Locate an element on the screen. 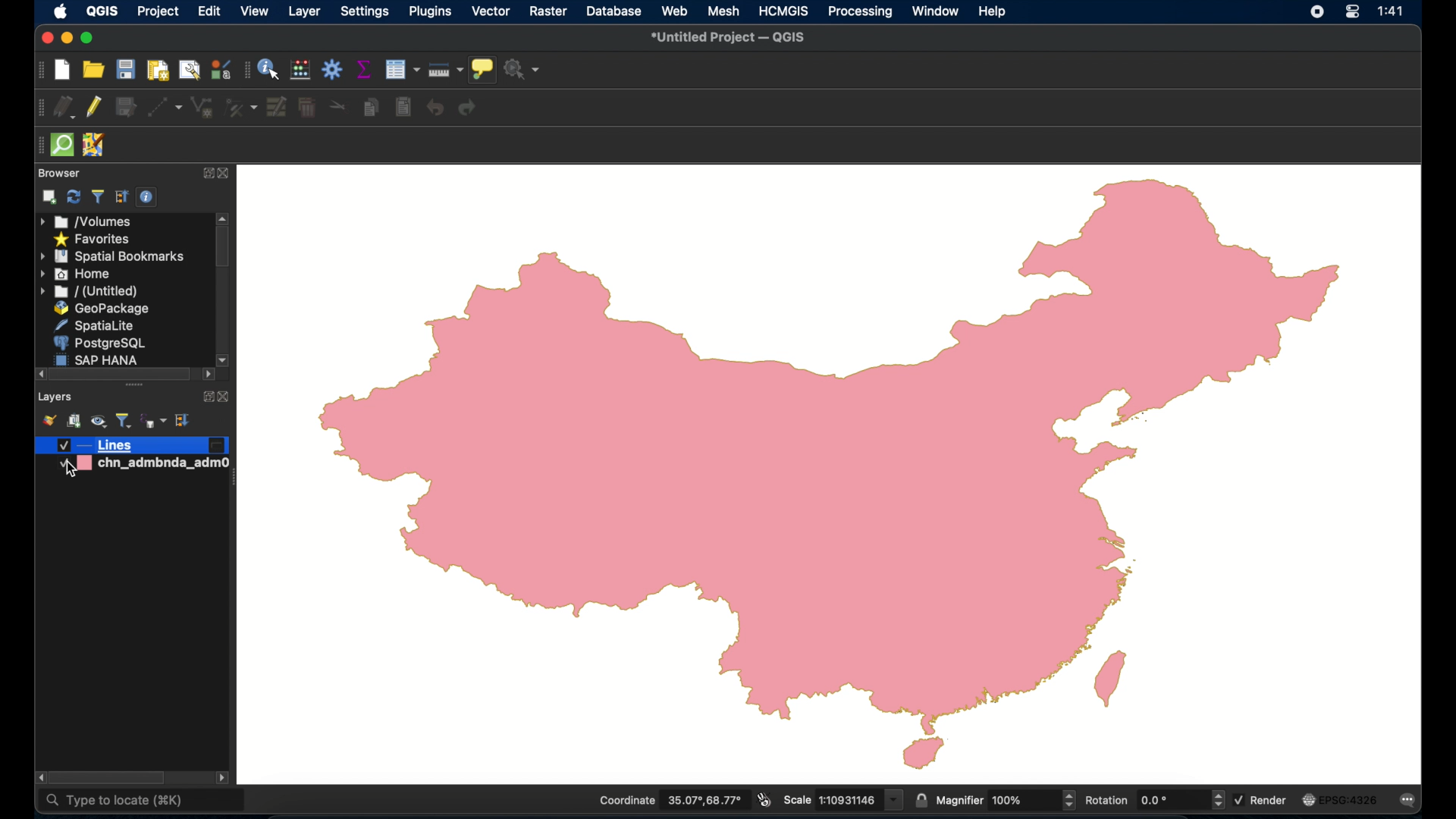  QGIS is located at coordinates (101, 11).